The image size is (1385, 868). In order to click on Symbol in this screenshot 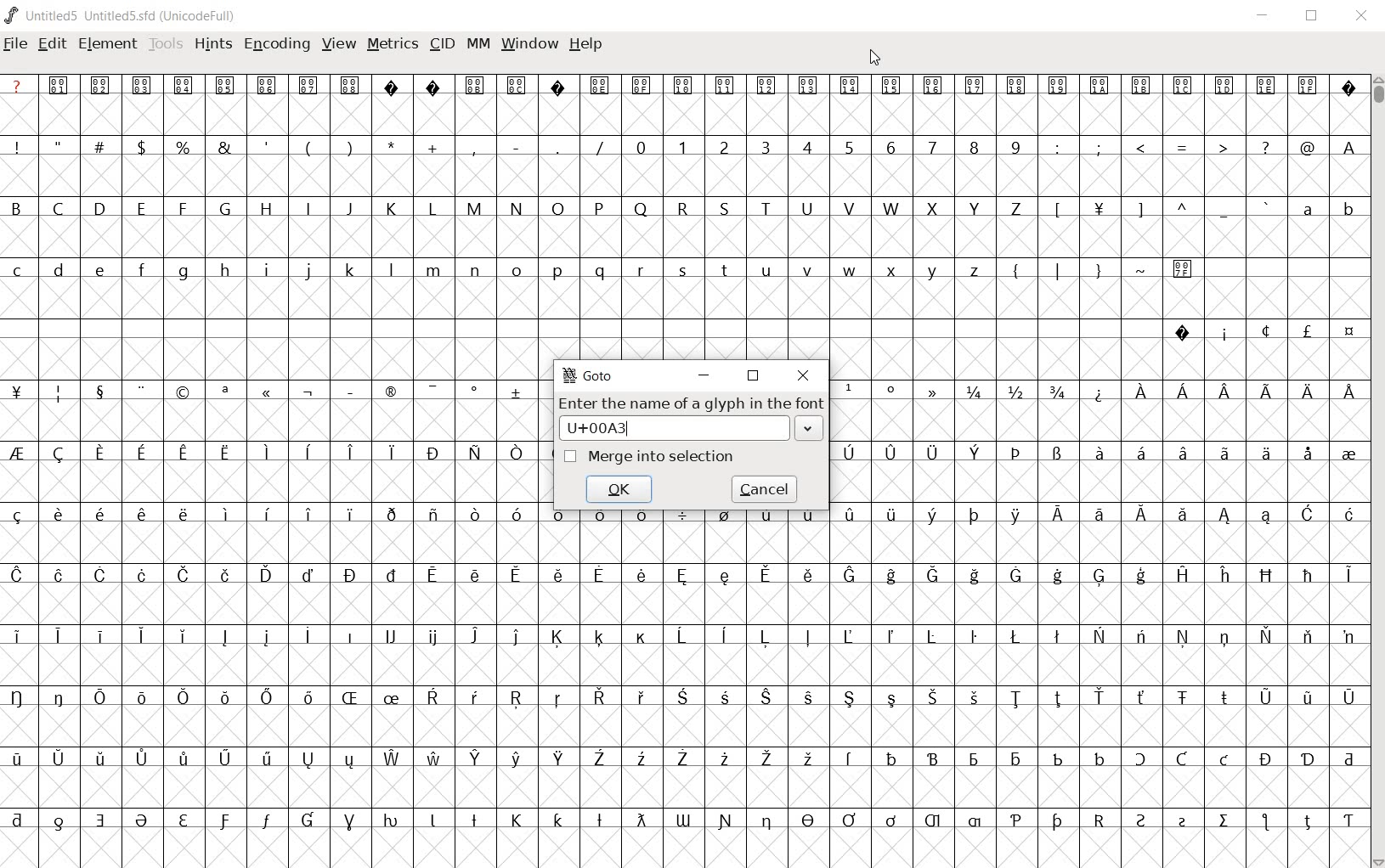, I will do `click(393, 821)`.